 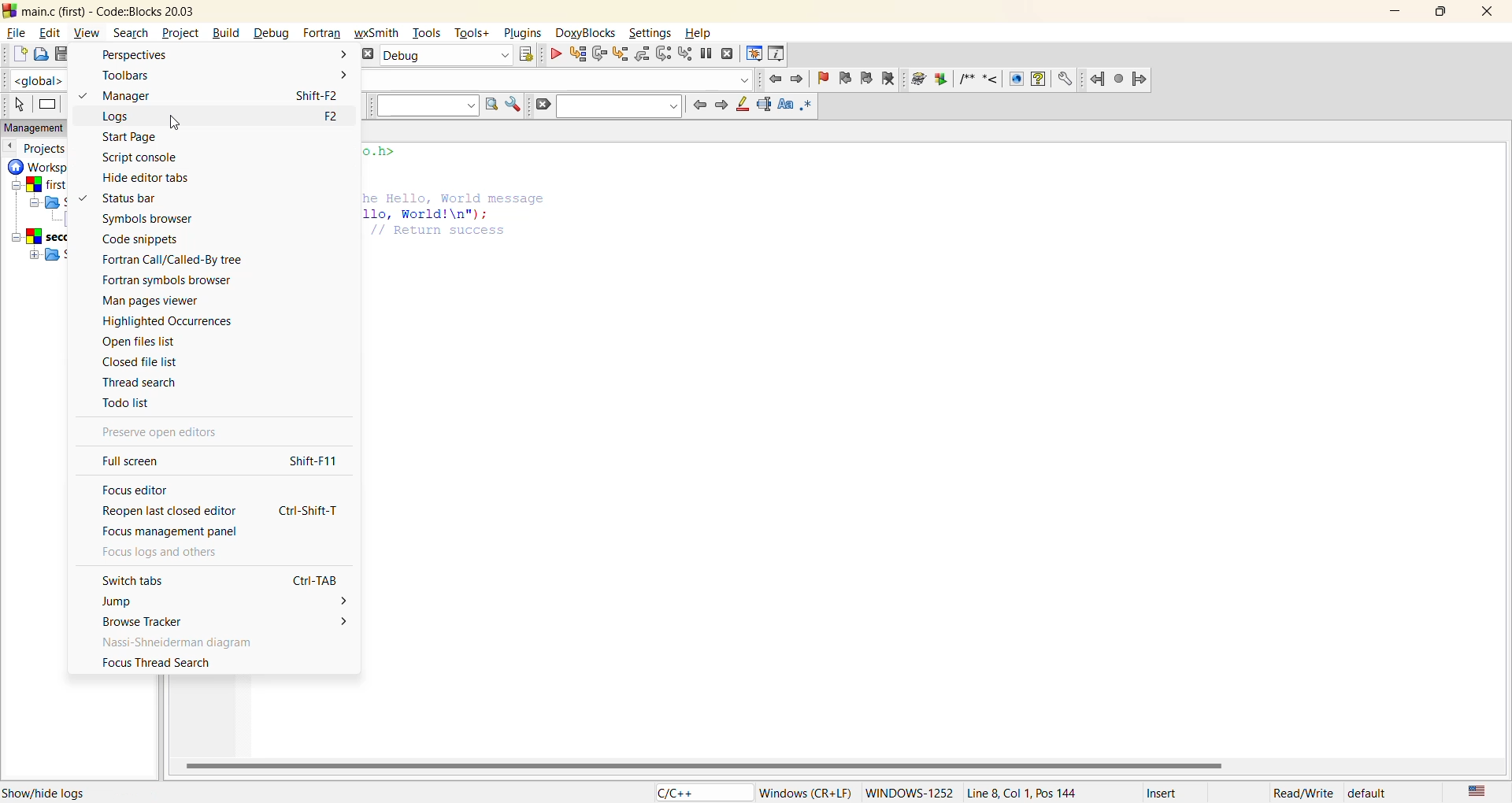 I want to click on next instruction, so click(x=664, y=54).